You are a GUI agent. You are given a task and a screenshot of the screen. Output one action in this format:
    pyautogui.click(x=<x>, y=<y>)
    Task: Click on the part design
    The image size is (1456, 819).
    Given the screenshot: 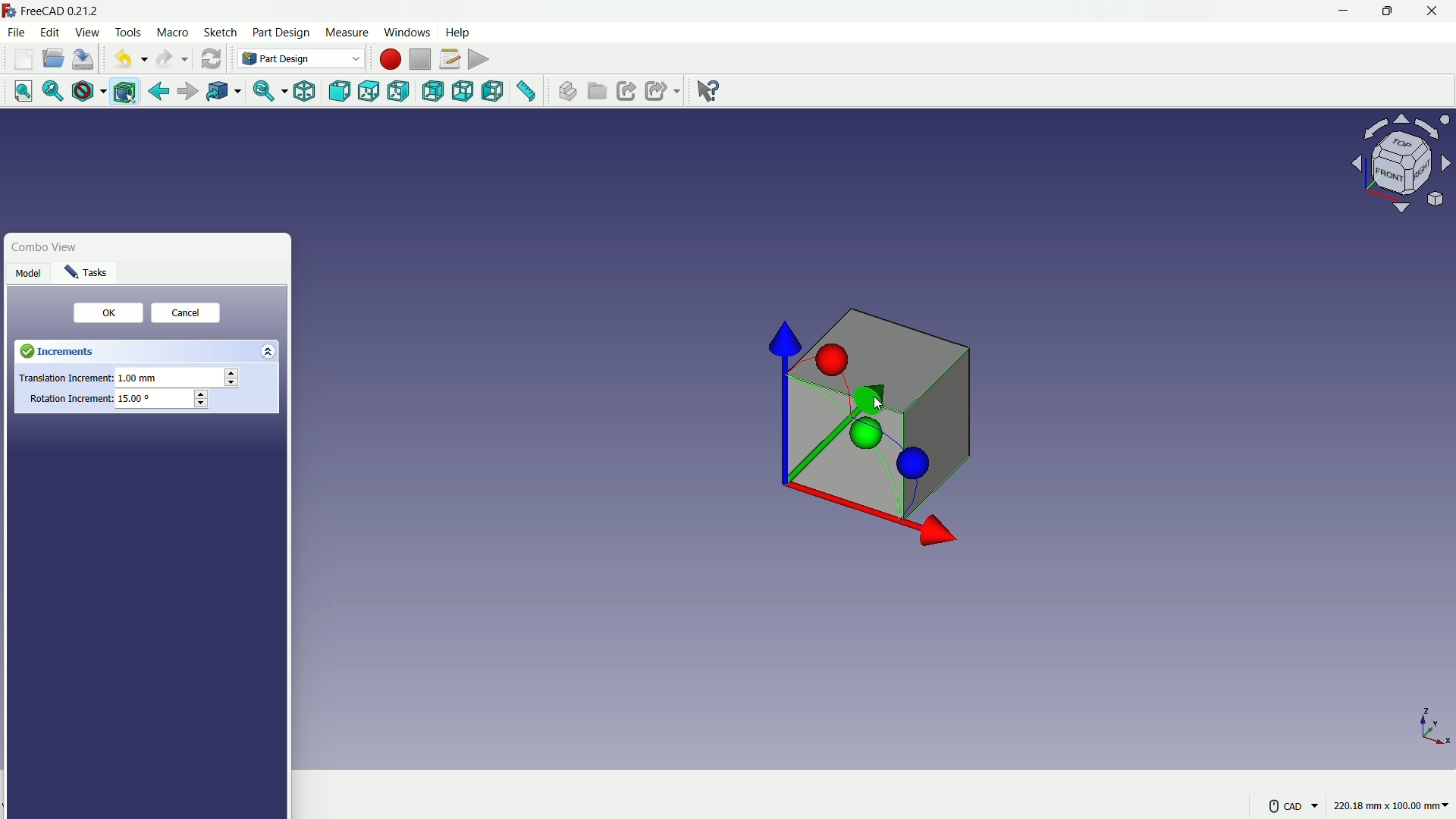 What is the action you would take?
    pyautogui.click(x=281, y=33)
    